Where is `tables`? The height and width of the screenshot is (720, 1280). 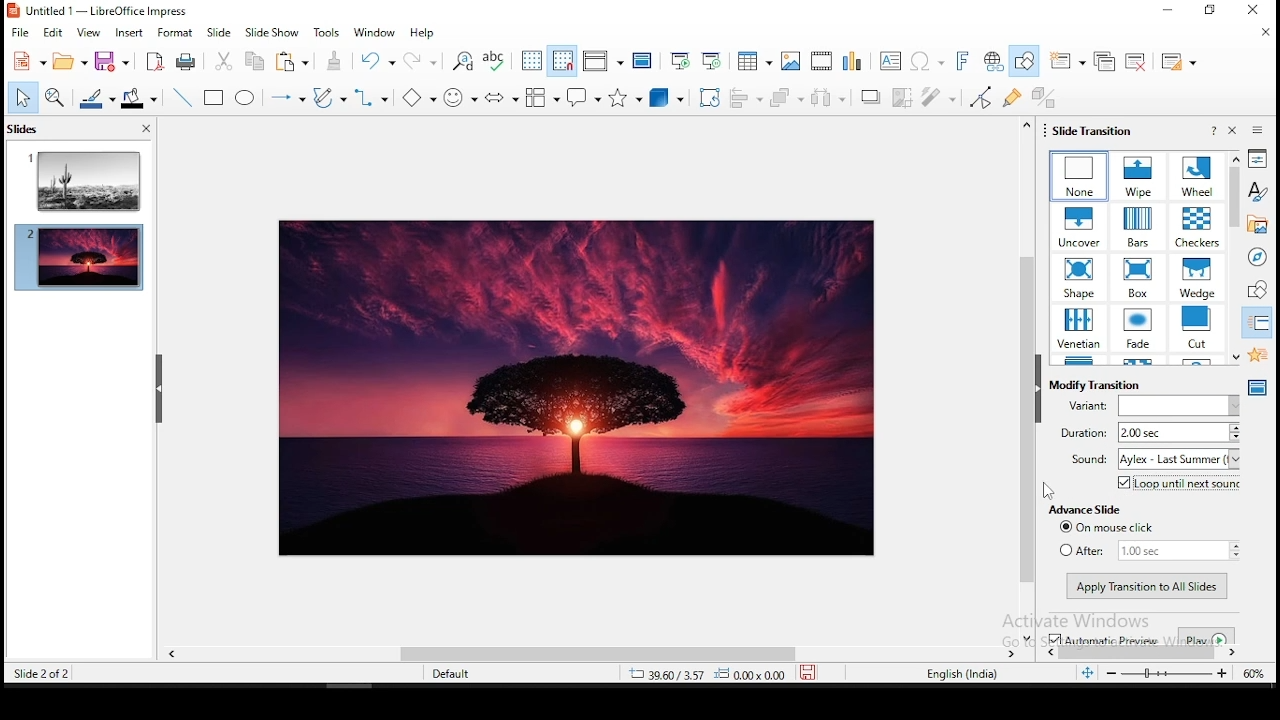
tables is located at coordinates (755, 59).